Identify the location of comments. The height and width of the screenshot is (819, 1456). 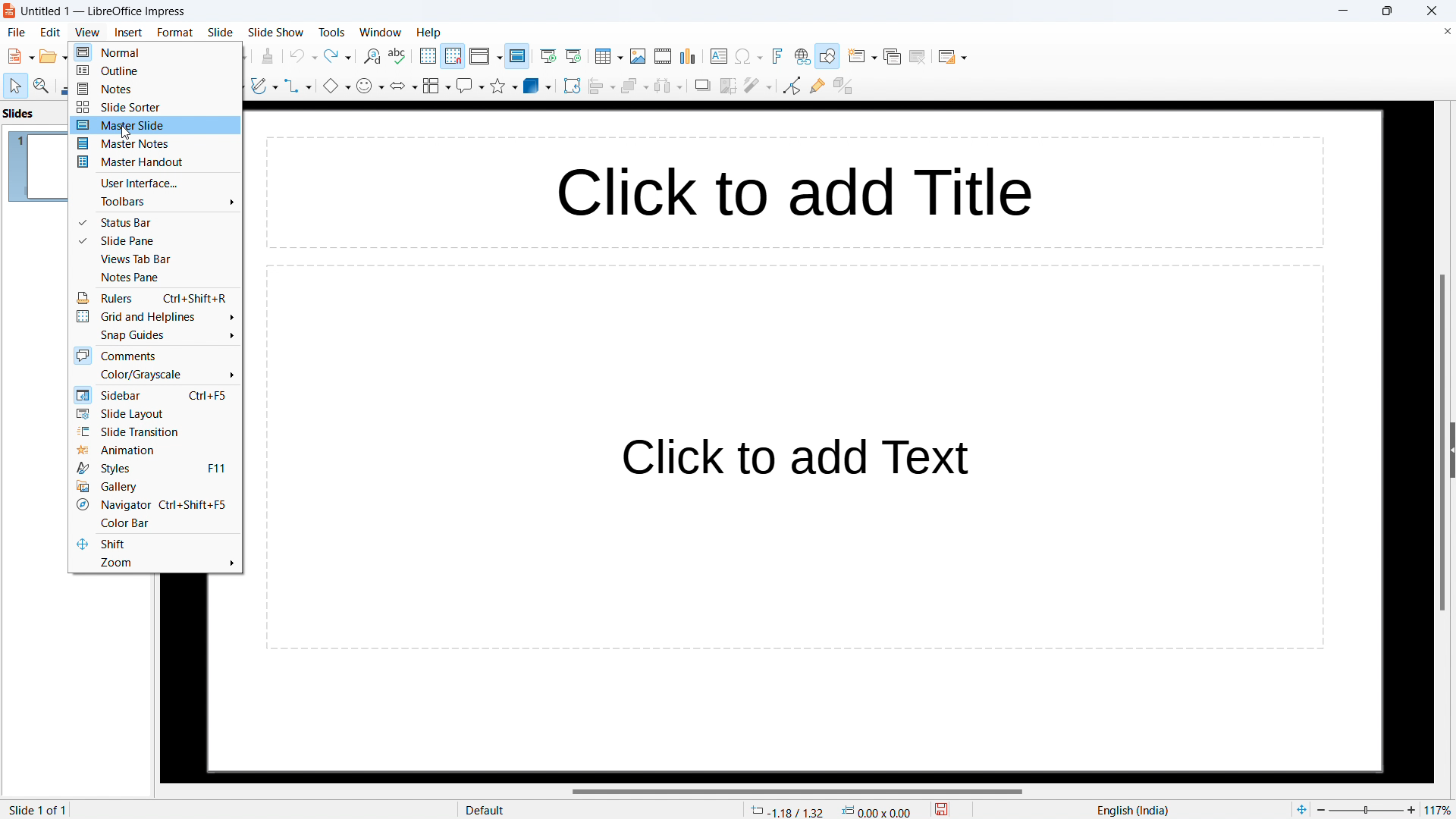
(155, 355).